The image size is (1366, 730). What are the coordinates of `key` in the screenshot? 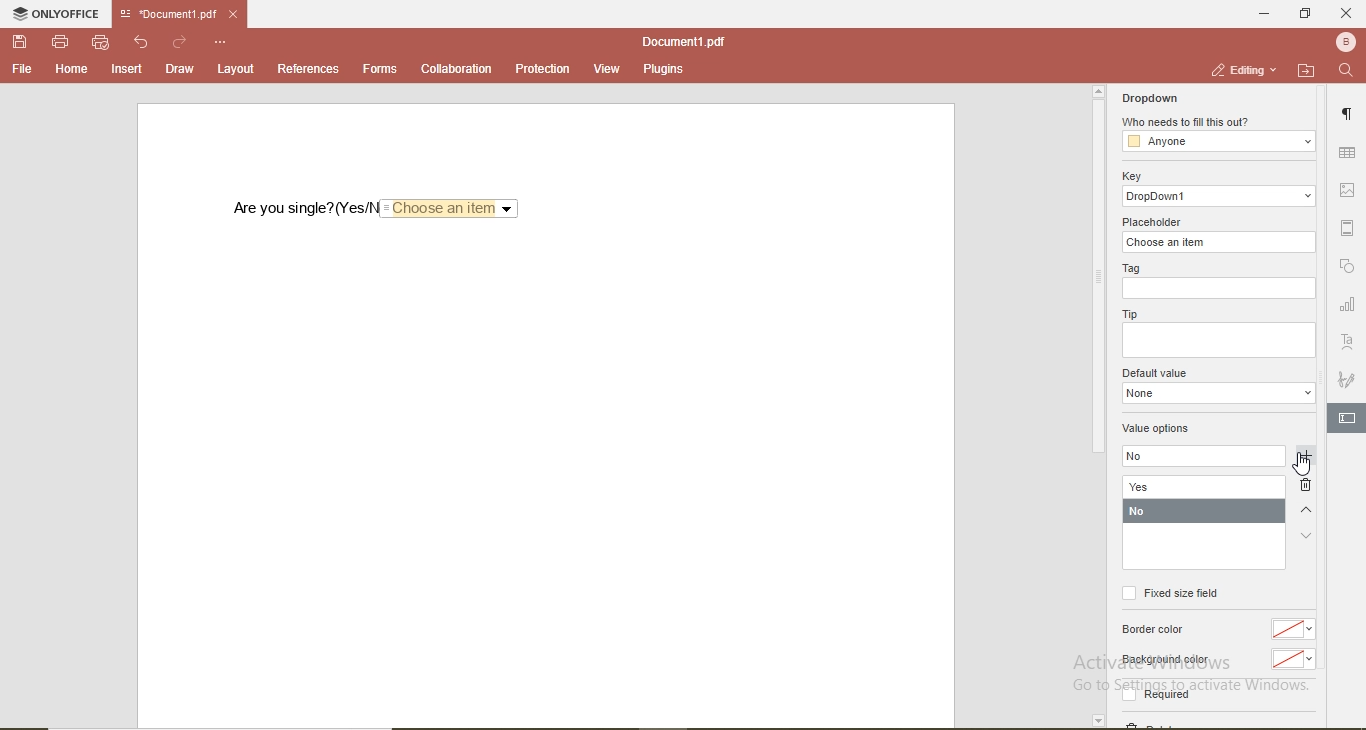 It's located at (1135, 176).